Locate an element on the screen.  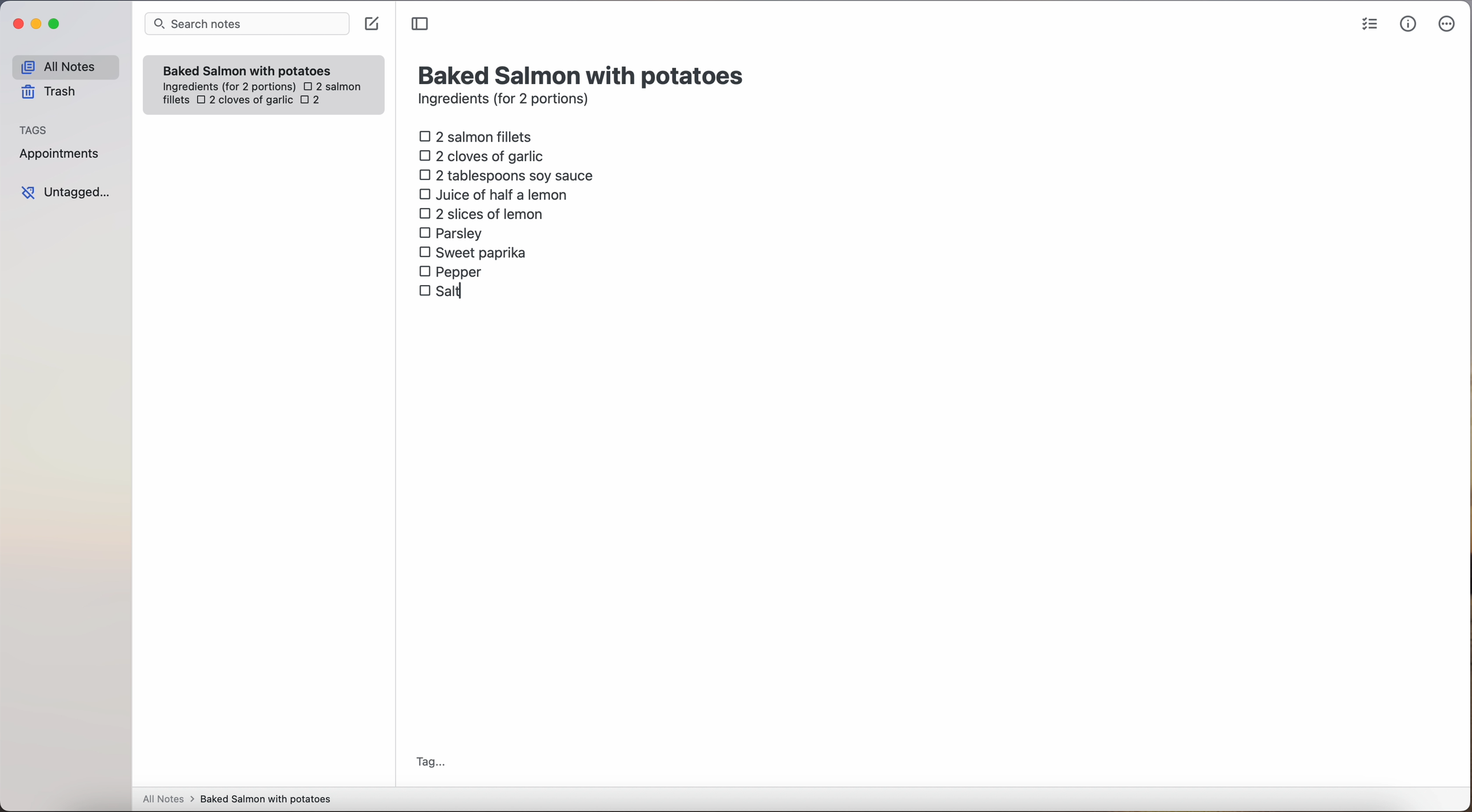
maximize is located at coordinates (56, 23).